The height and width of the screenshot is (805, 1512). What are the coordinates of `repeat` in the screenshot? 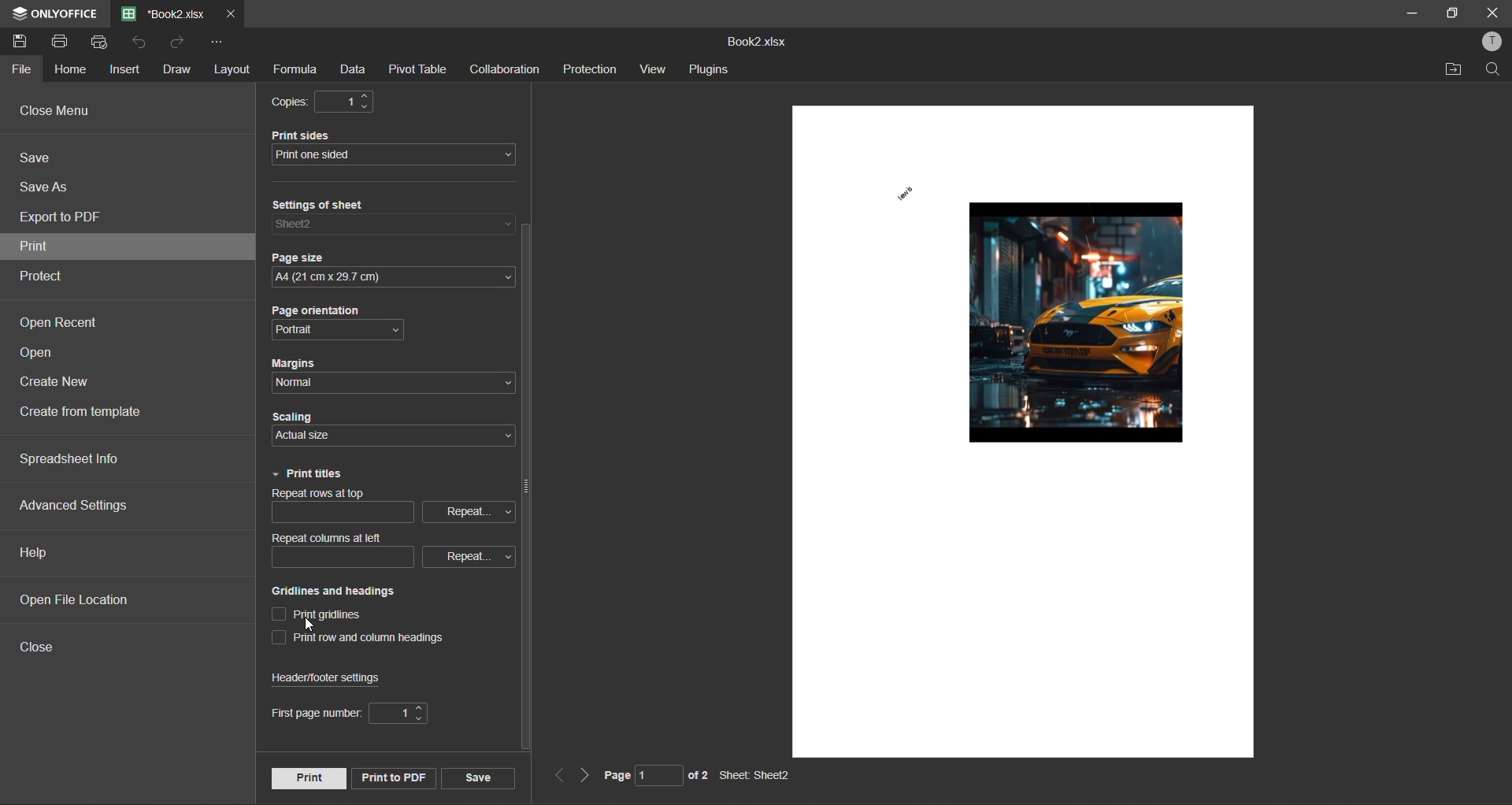 It's located at (468, 557).